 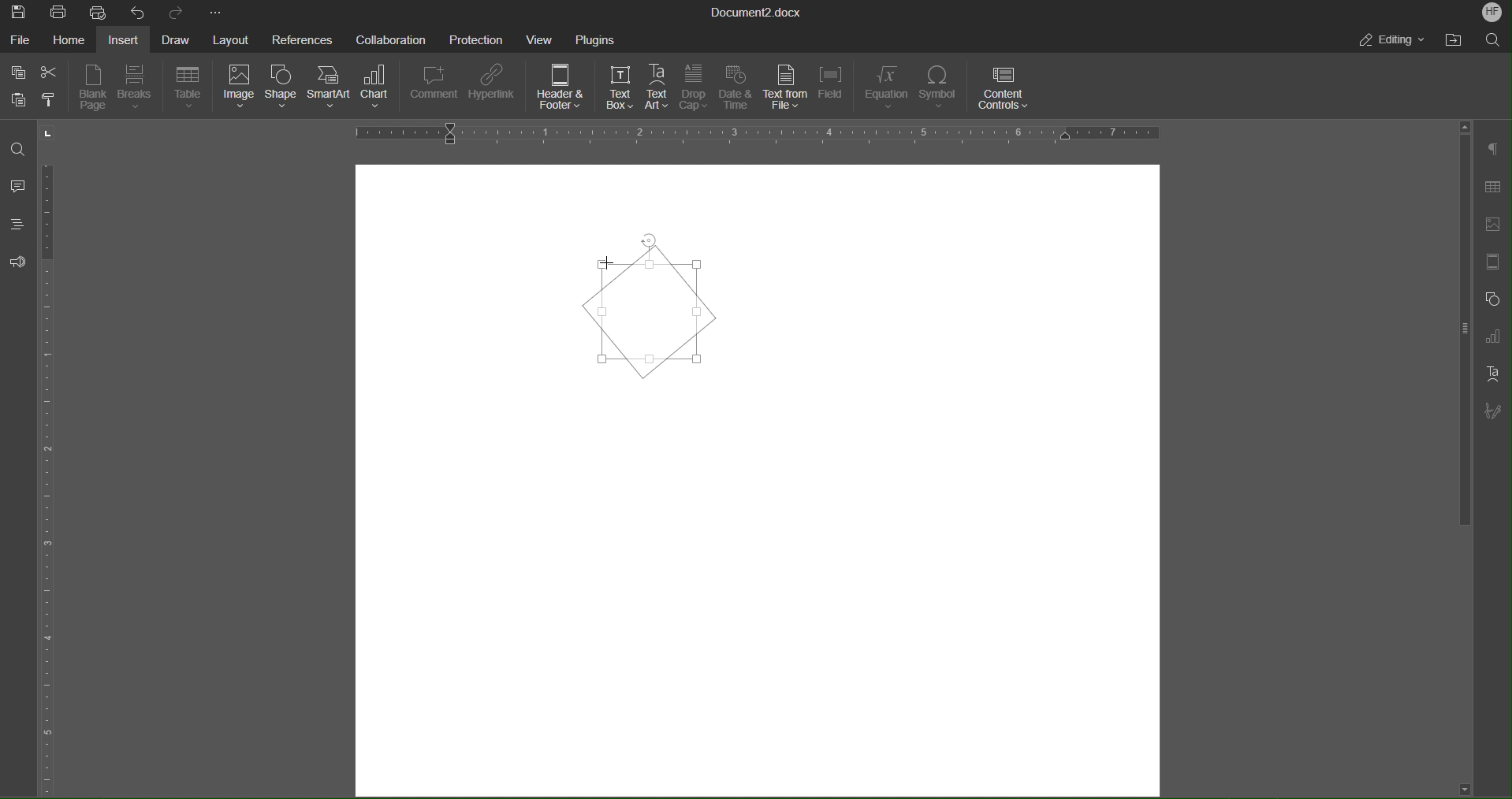 What do you see at coordinates (1492, 336) in the screenshot?
I see `Graph` at bounding box center [1492, 336].